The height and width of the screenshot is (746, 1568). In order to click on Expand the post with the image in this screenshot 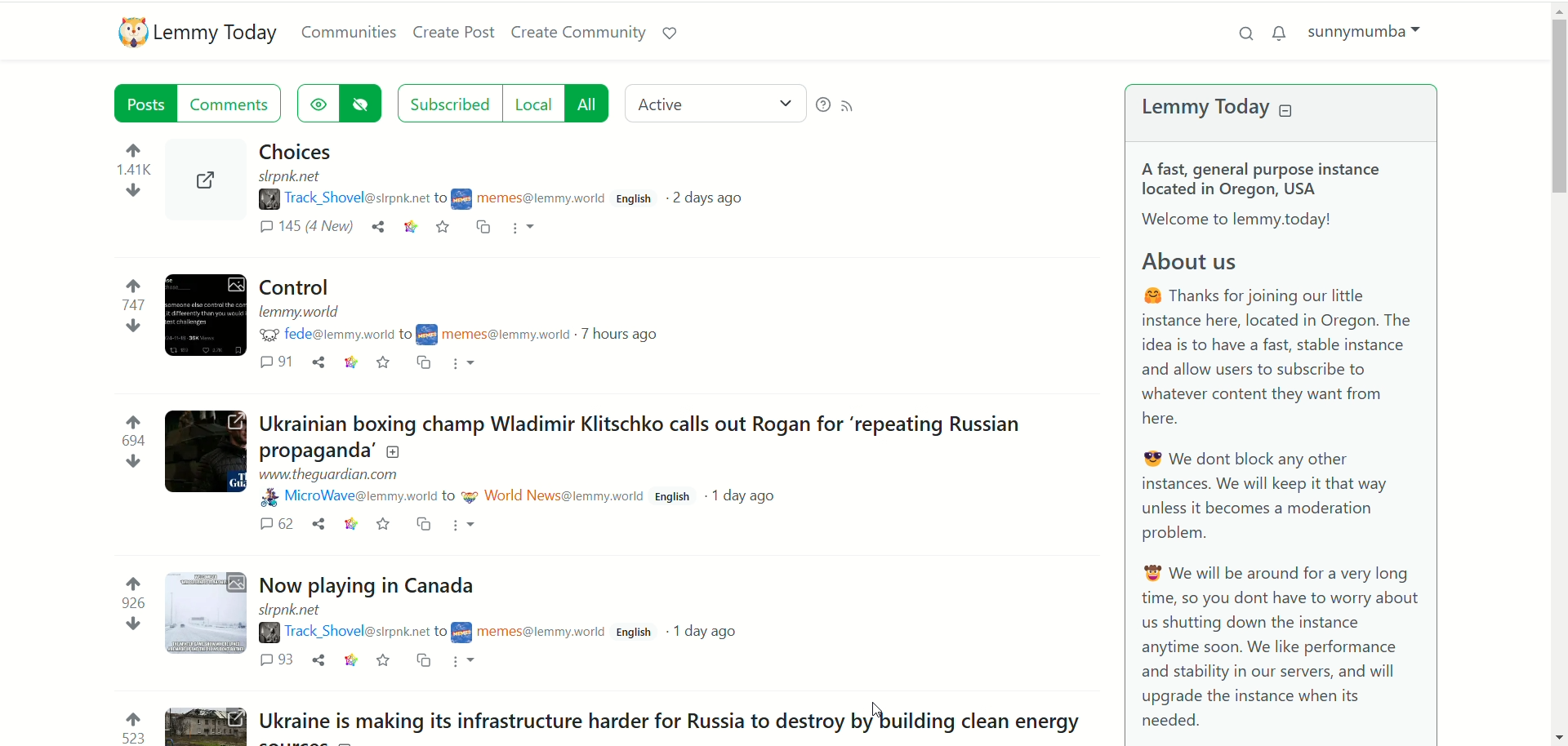, I will do `click(207, 615)`.